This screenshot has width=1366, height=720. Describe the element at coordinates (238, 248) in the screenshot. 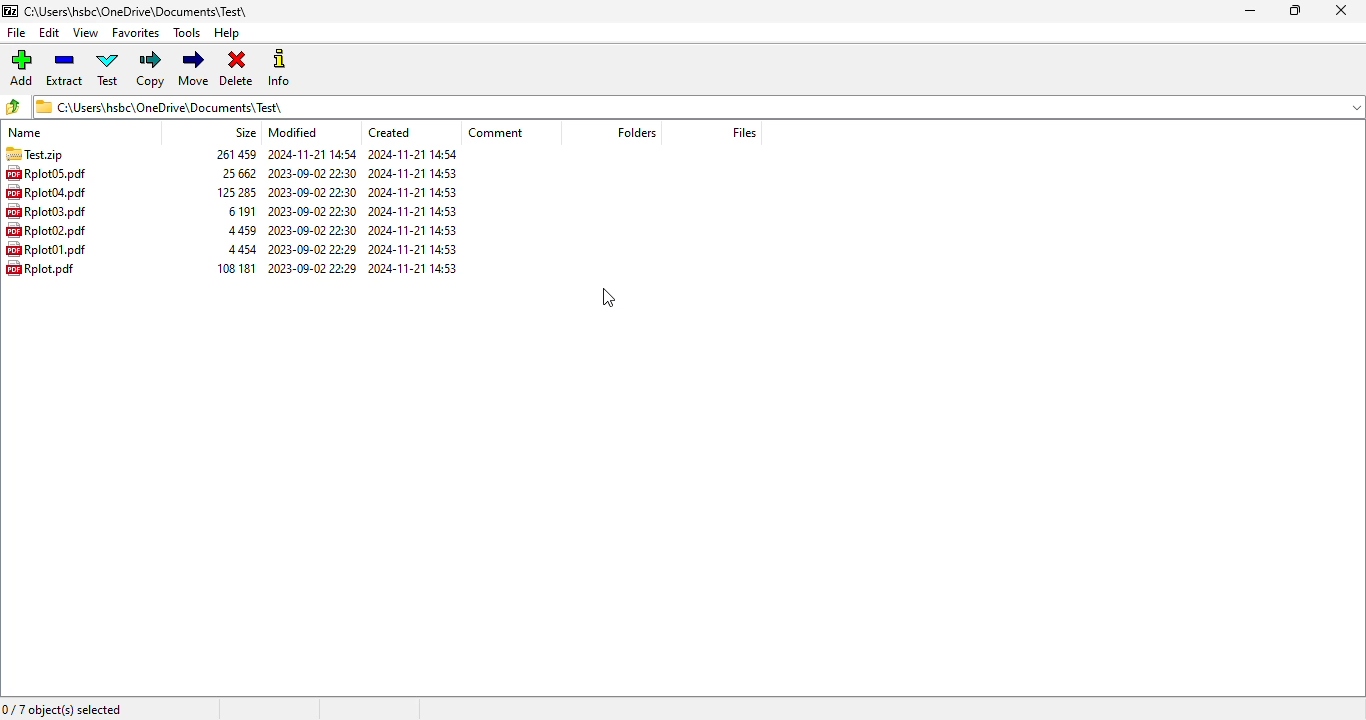

I see `size` at that location.